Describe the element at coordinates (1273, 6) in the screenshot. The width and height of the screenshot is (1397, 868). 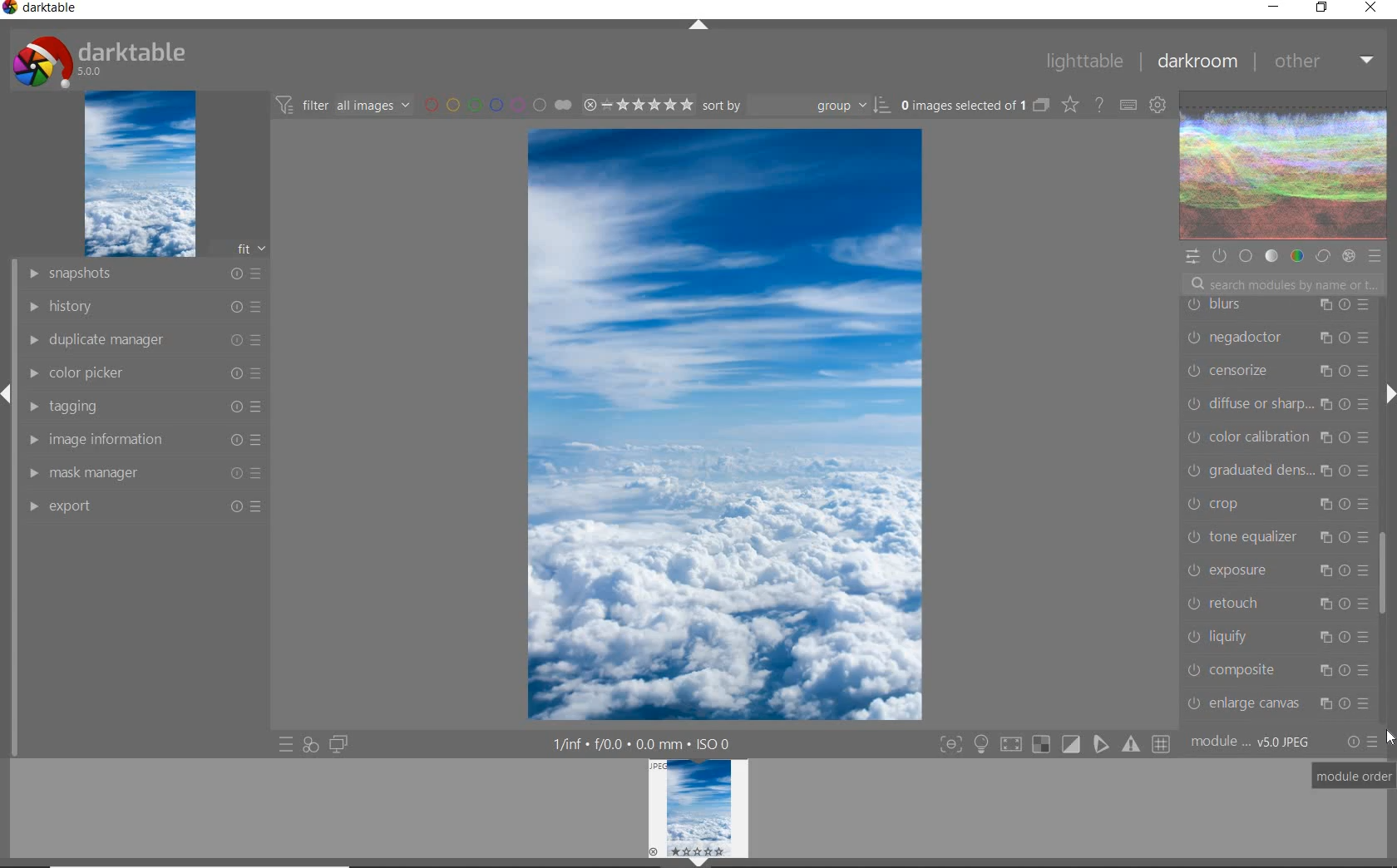
I see `MINIMIZE` at that location.